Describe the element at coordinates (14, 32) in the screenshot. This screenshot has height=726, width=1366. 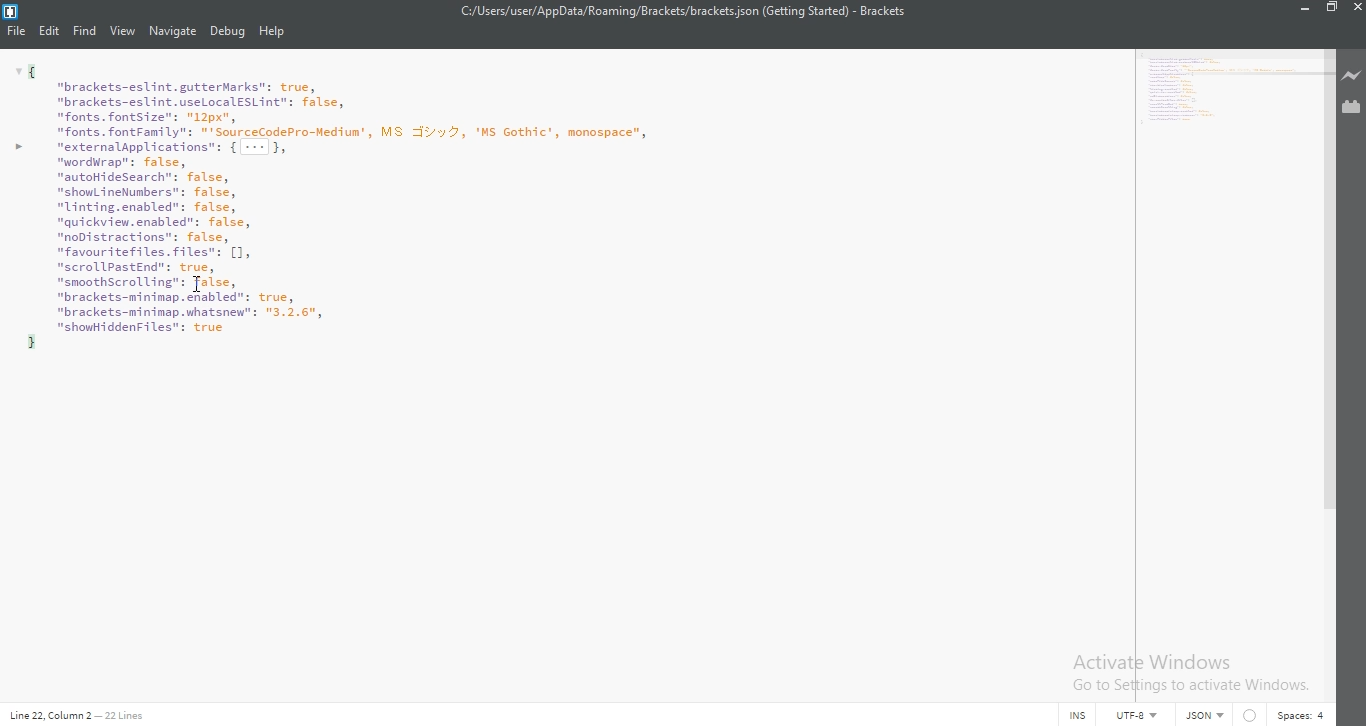
I see `File` at that location.